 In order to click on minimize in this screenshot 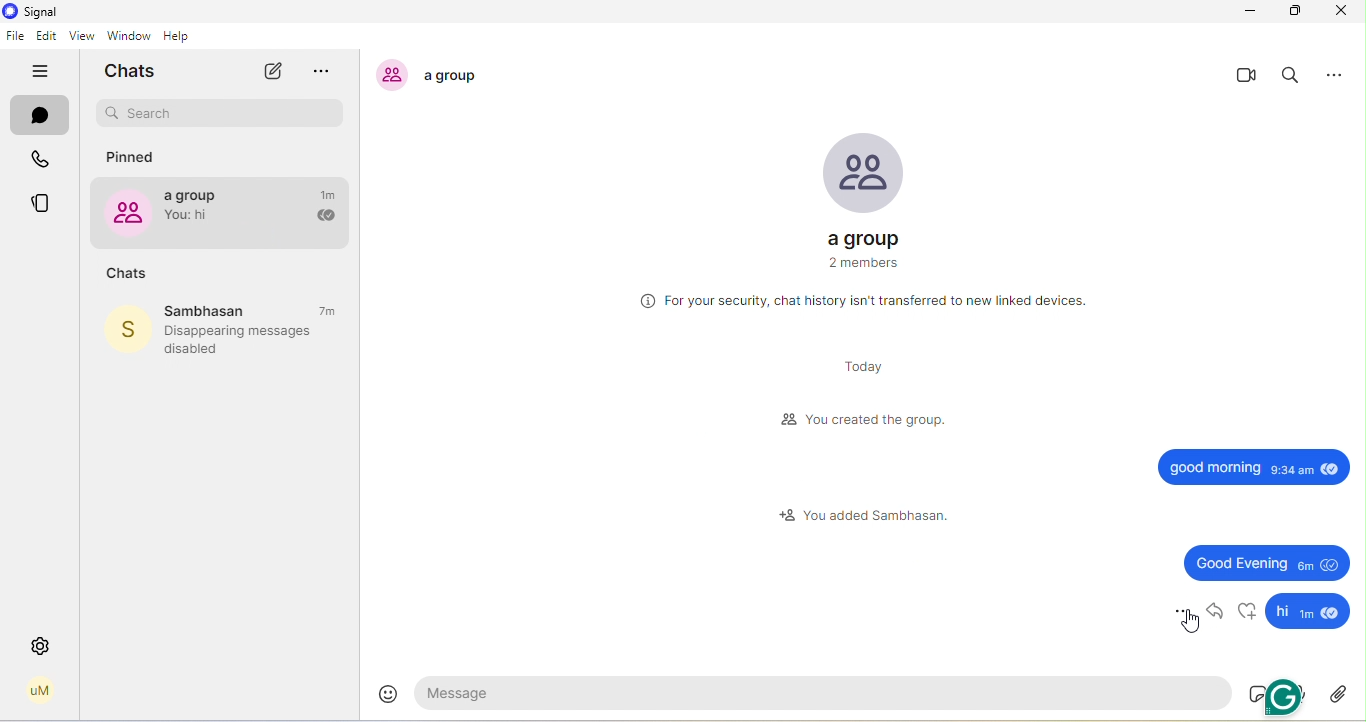, I will do `click(1246, 12)`.